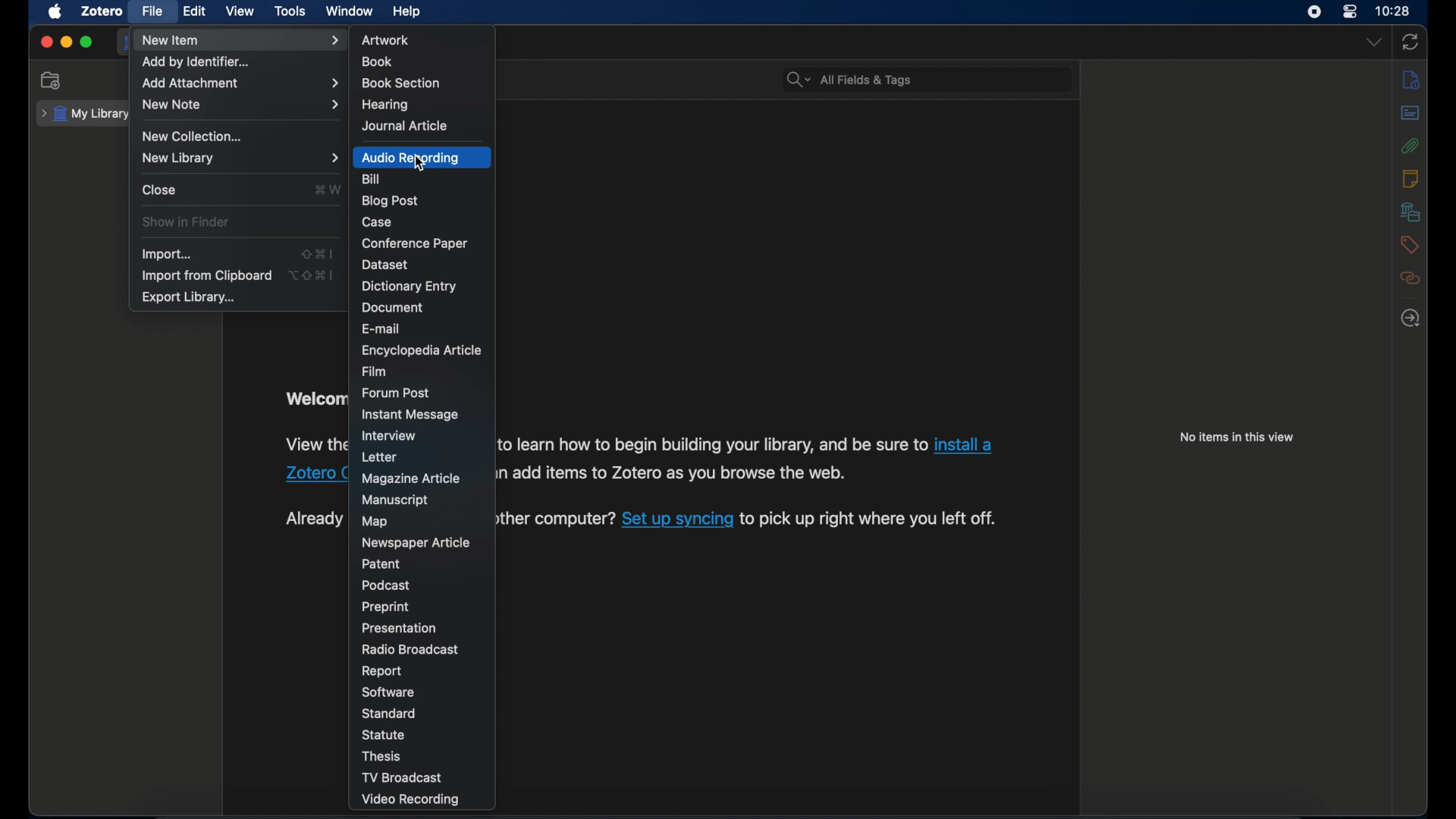 The width and height of the screenshot is (1456, 819). What do you see at coordinates (376, 372) in the screenshot?
I see `film` at bounding box center [376, 372].